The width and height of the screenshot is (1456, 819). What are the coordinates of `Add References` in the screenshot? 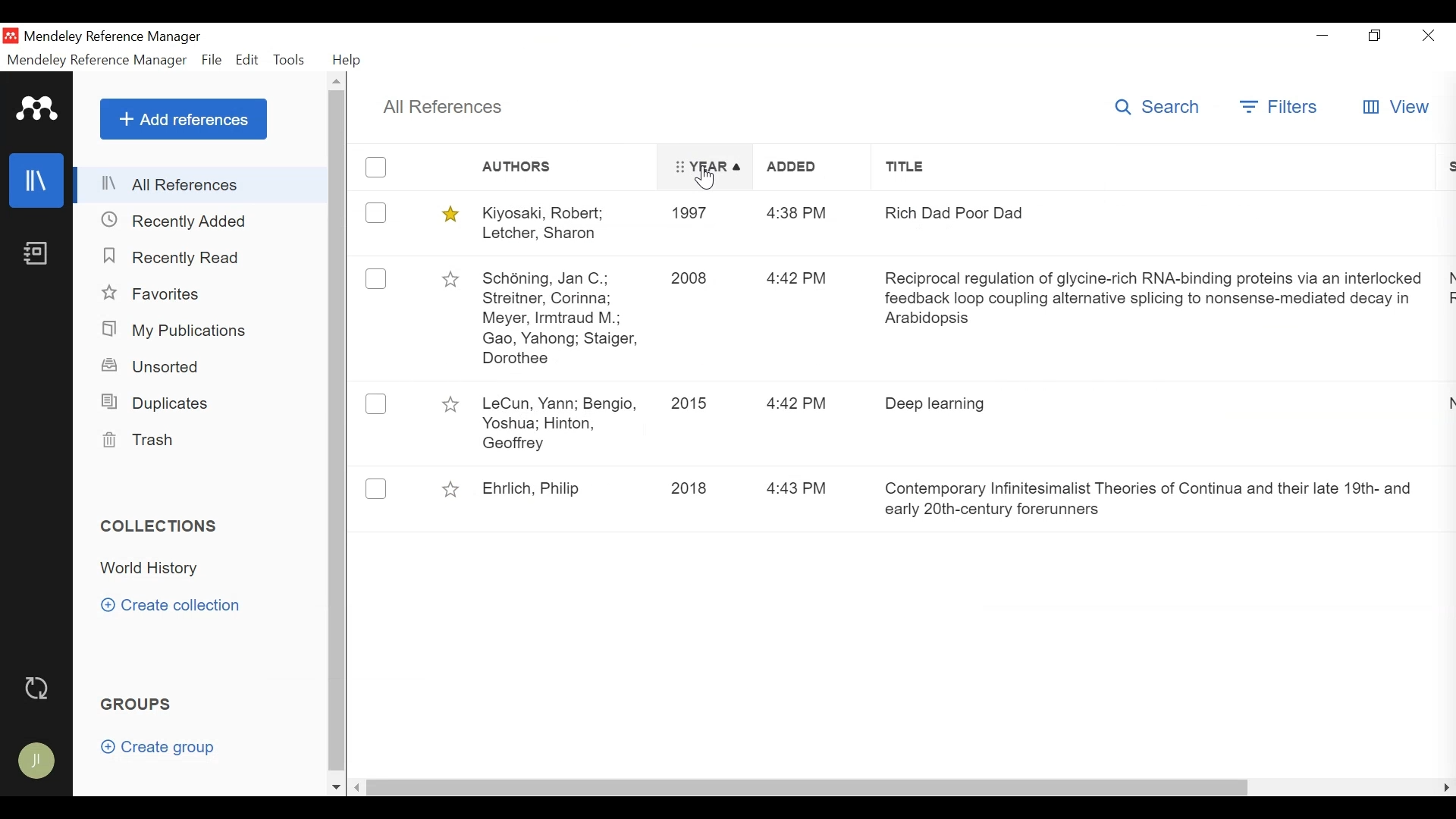 It's located at (184, 119).